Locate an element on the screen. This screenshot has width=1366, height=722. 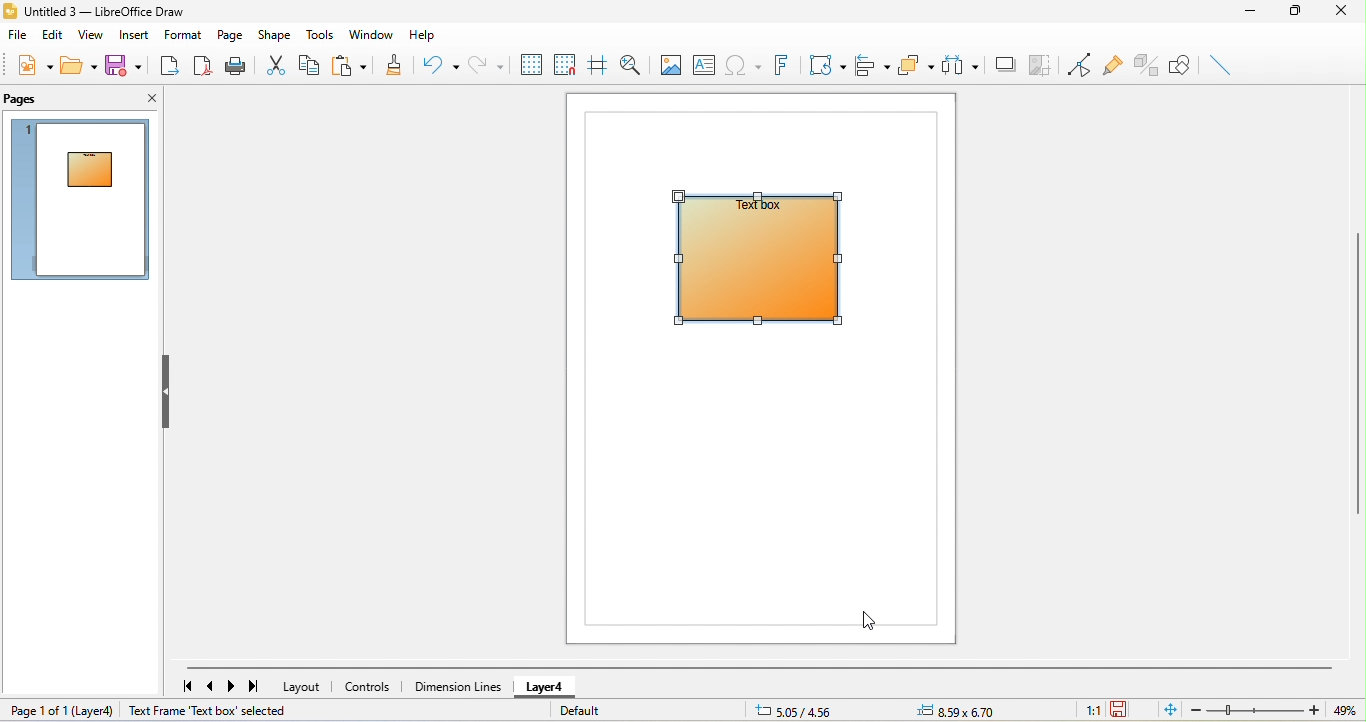
hide is located at coordinates (171, 390).